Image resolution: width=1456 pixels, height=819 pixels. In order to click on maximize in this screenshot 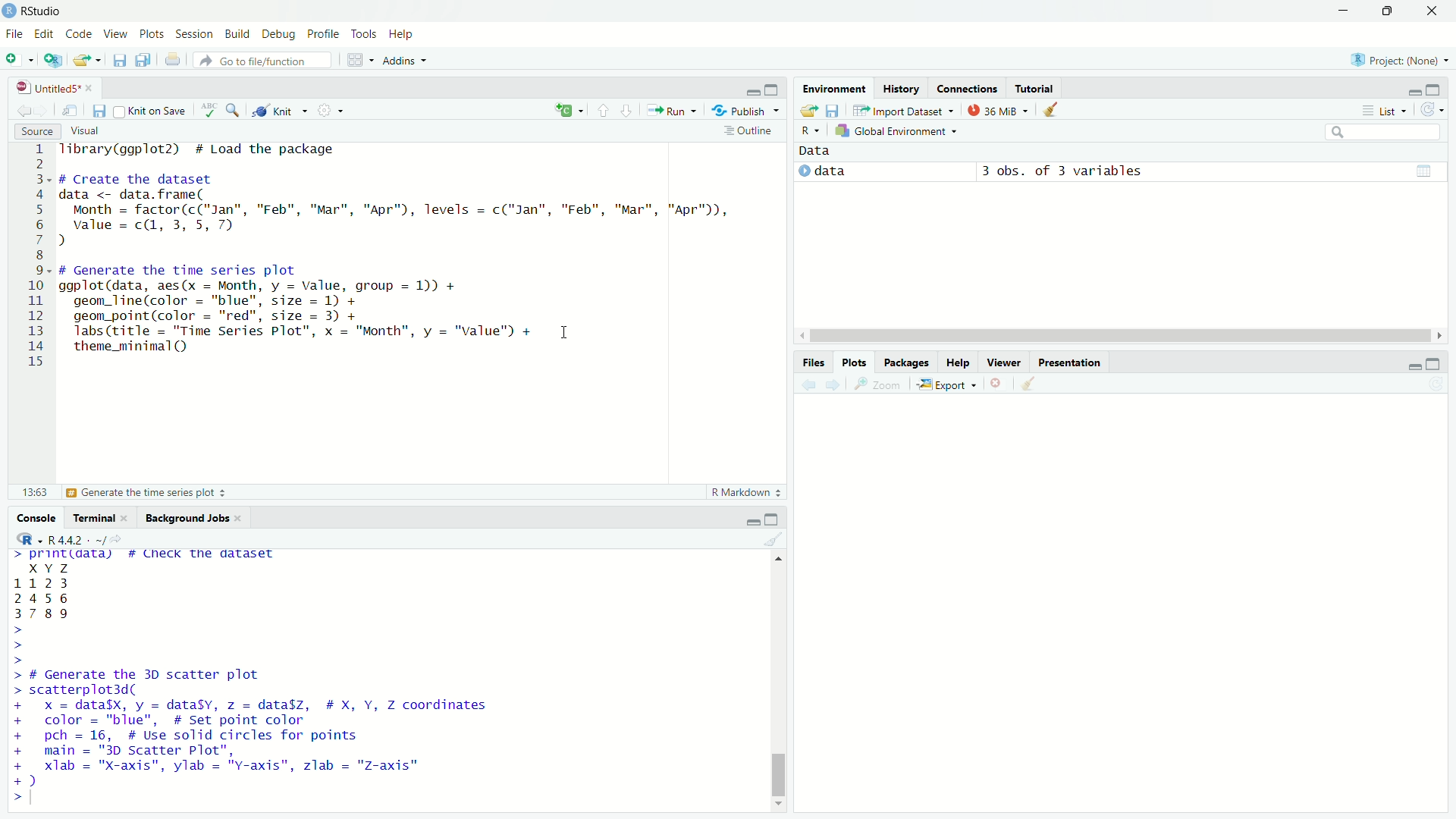, I will do `click(772, 88)`.